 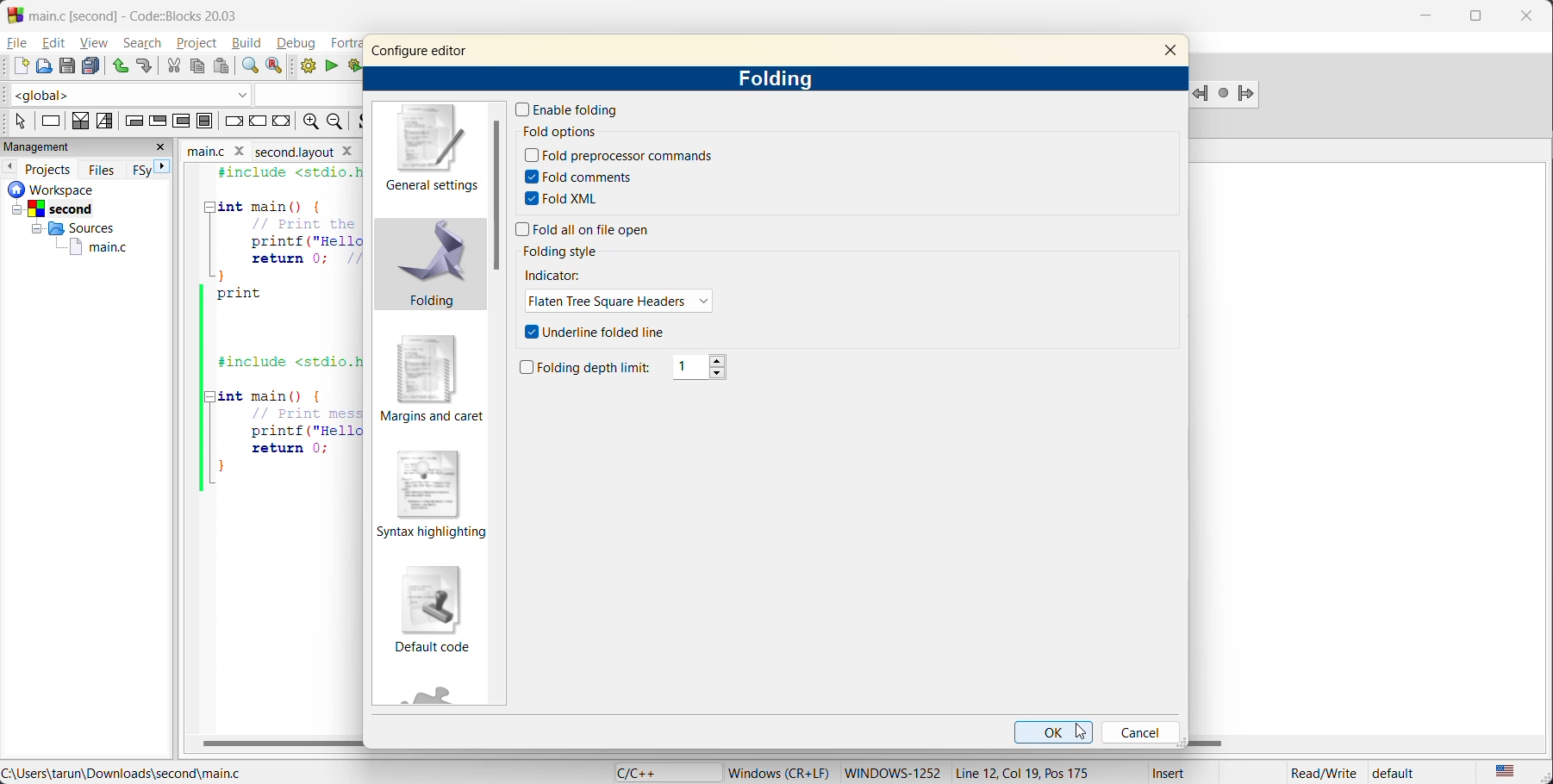 What do you see at coordinates (1082, 731) in the screenshot?
I see `cursor` at bounding box center [1082, 731].